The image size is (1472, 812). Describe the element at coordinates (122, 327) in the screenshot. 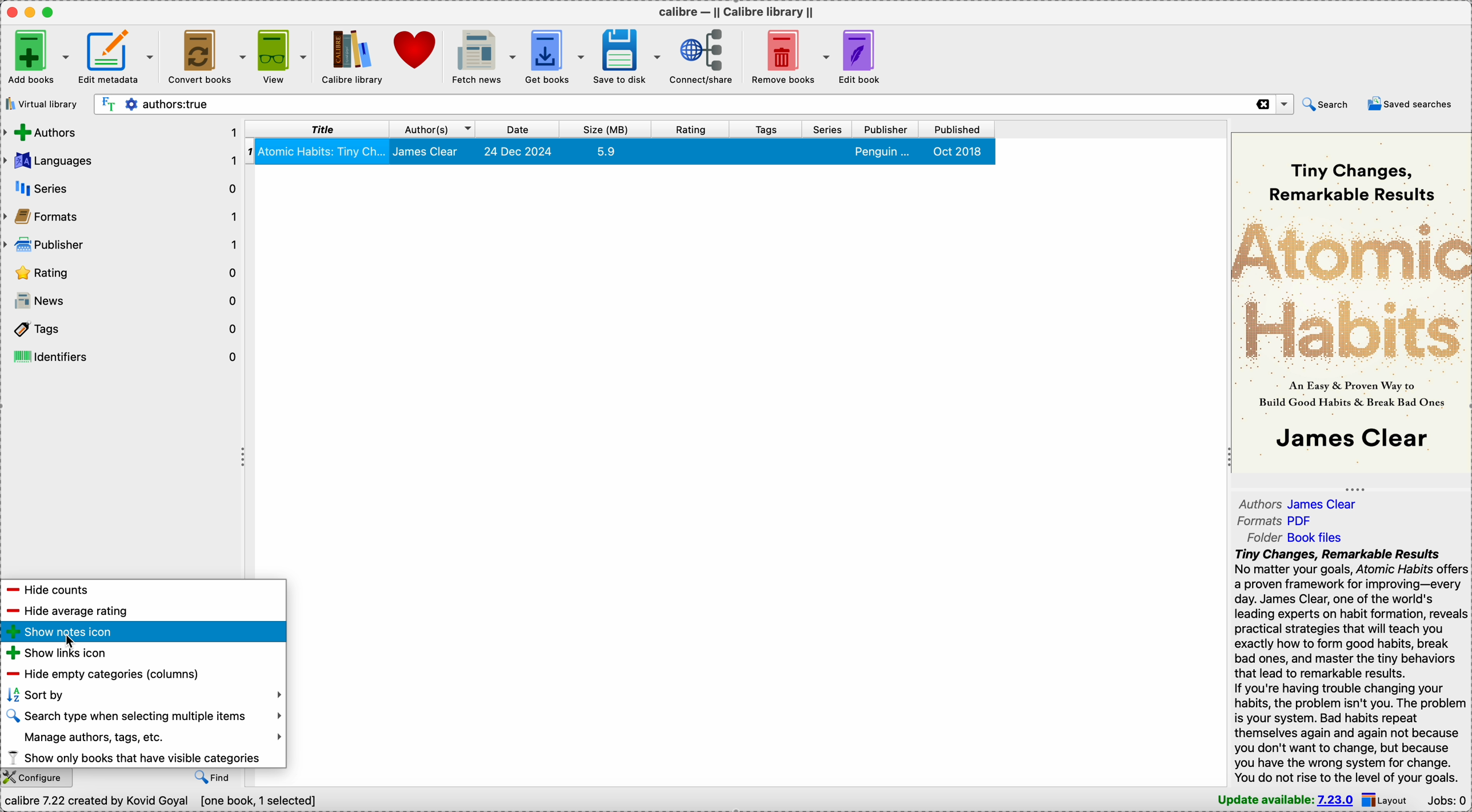

I see `tags` at that location.